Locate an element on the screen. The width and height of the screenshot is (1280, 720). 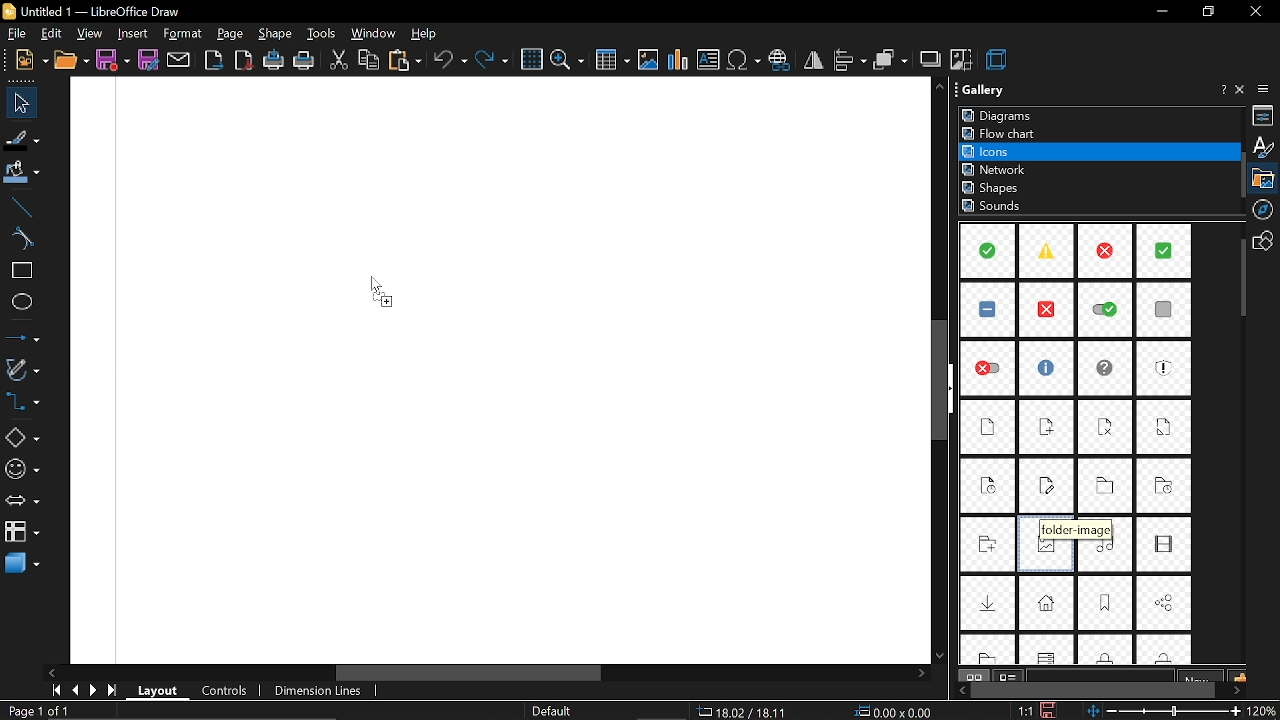
Cursor is located at coordinates (383, 293).